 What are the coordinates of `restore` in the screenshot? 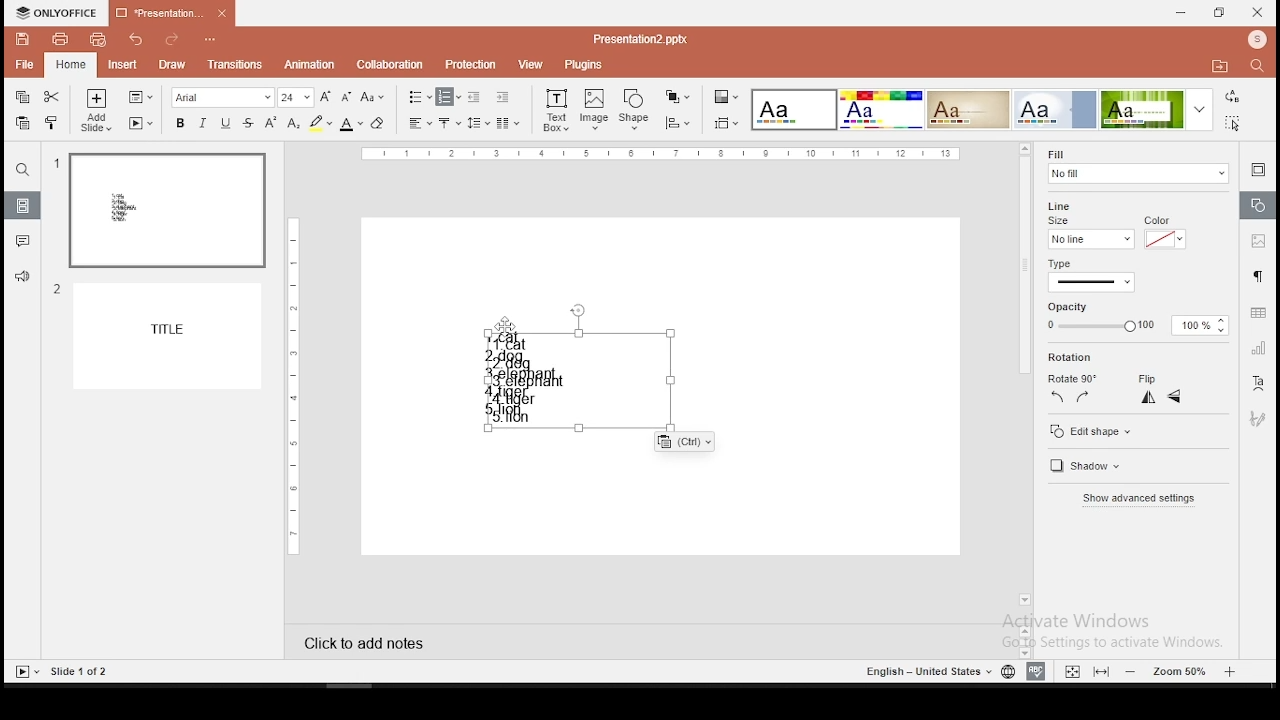 It's located at (1220, 13).